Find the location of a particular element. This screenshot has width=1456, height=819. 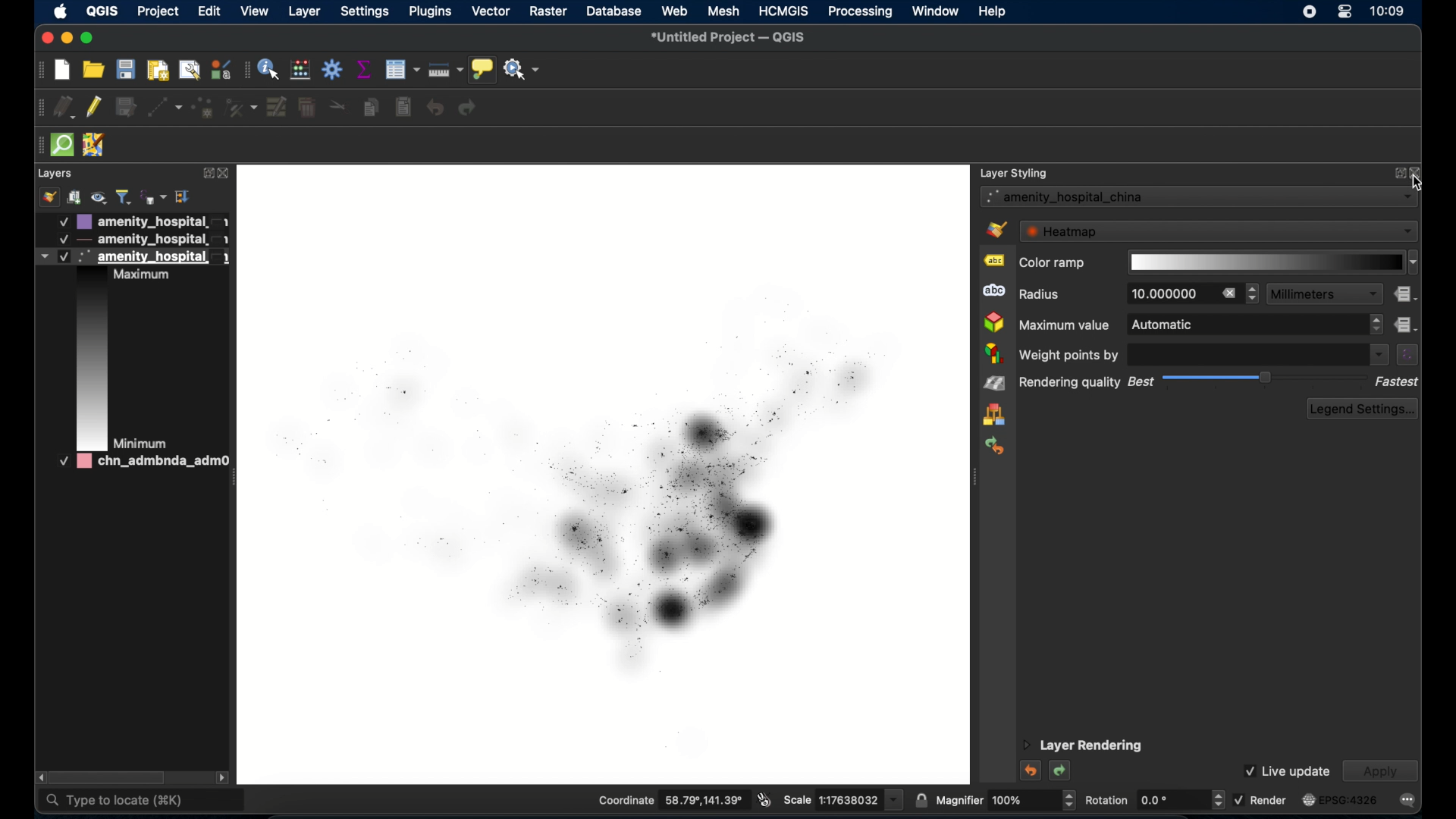

digitizing with segment is located at coordinates (38, 108).